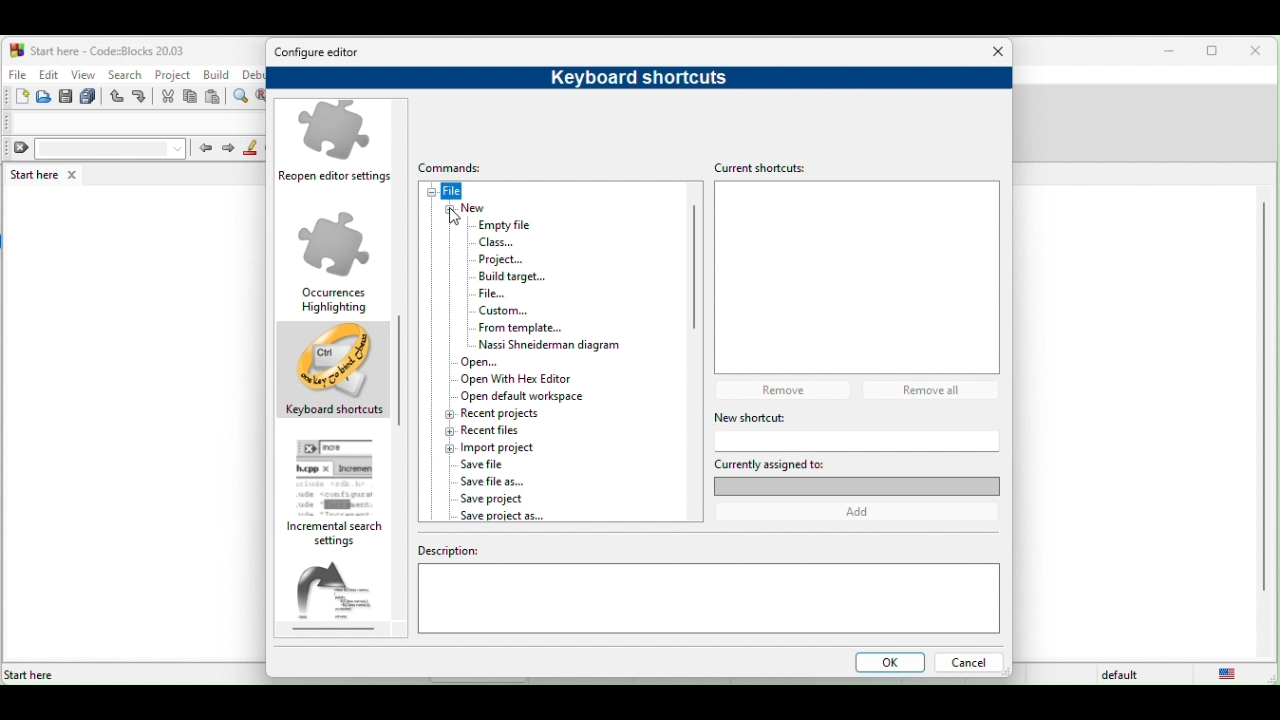 The image size is (1280, 720). I want to click on add, so click(864, 512).